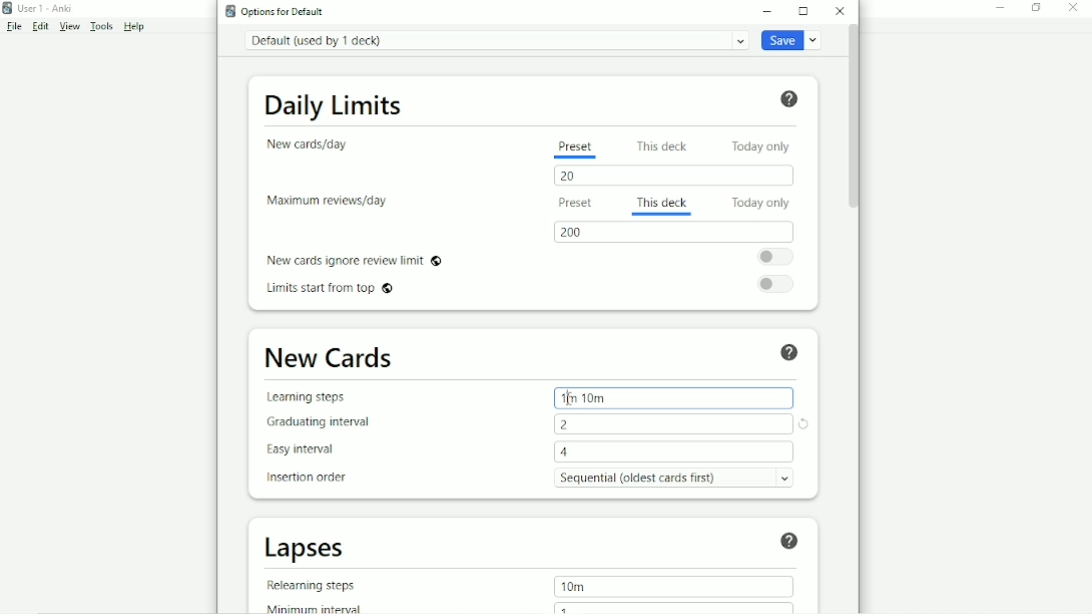 Image resolution: width=1092 pixels, height=614 pixels. I want to click on Help, so click(787, 98).